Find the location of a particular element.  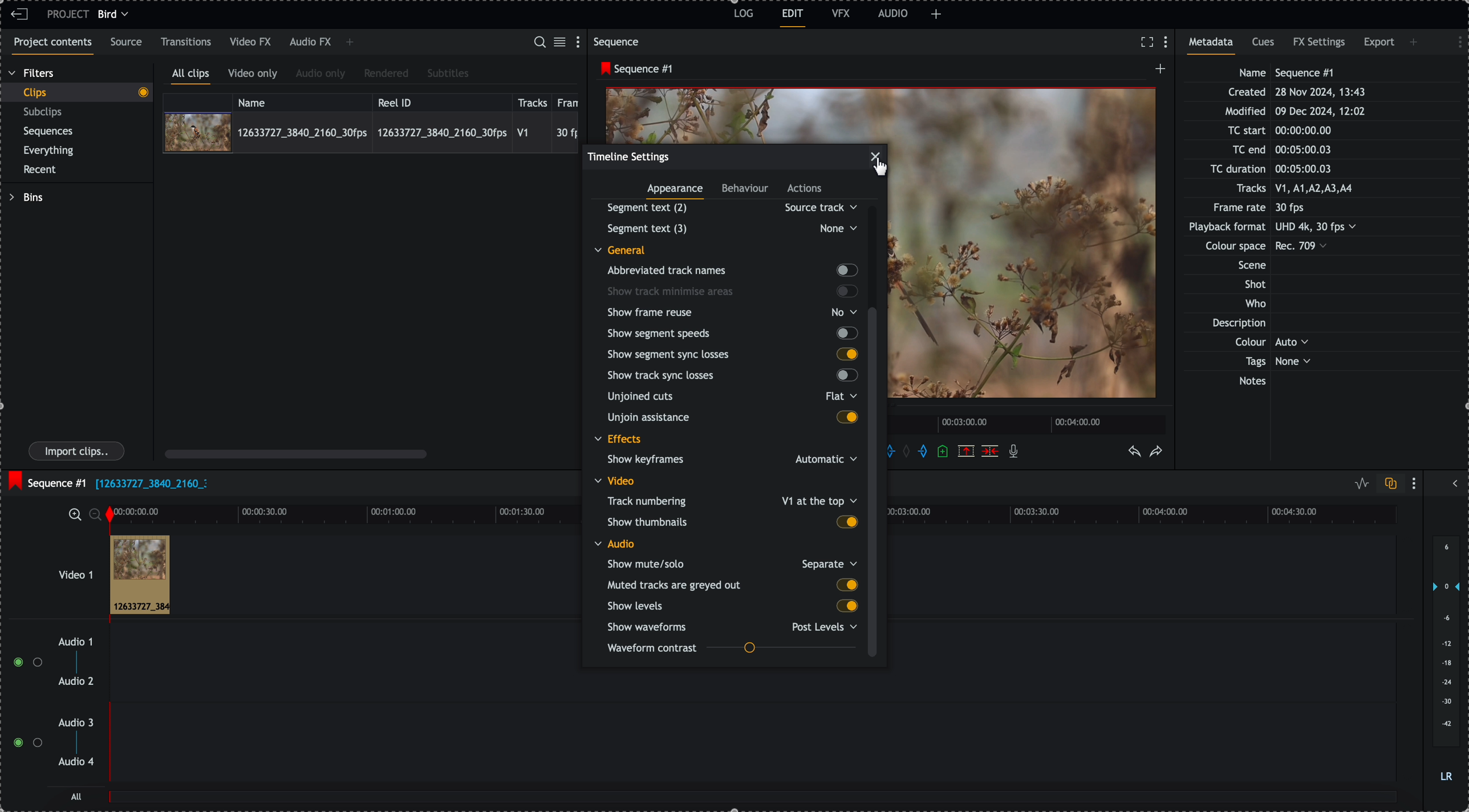

add panel is located at coordinates (350, 43).